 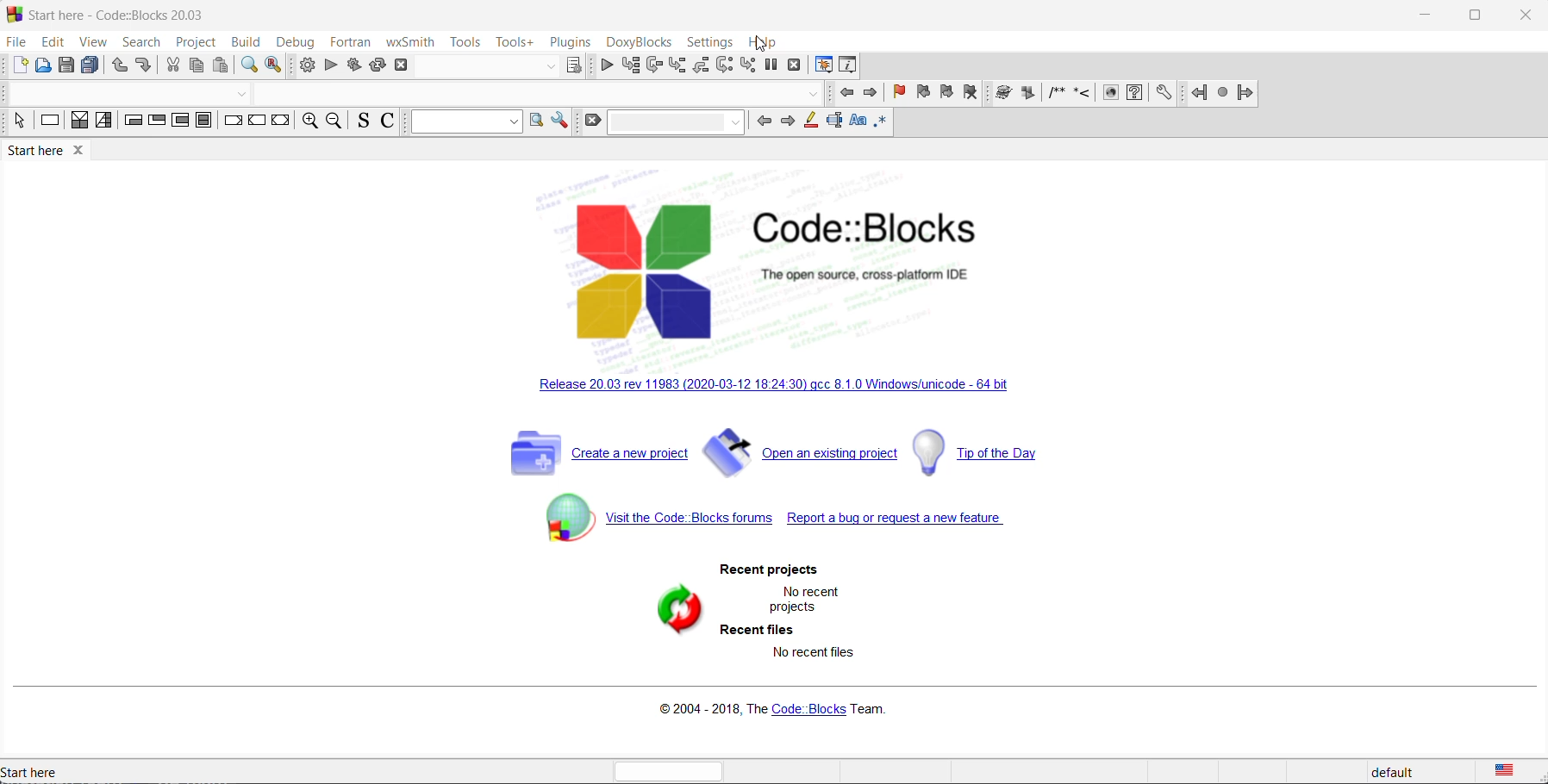 What do you see at coordinates (307, 66) in the screenshot?
I see `build` at bounding box center [307, 66].